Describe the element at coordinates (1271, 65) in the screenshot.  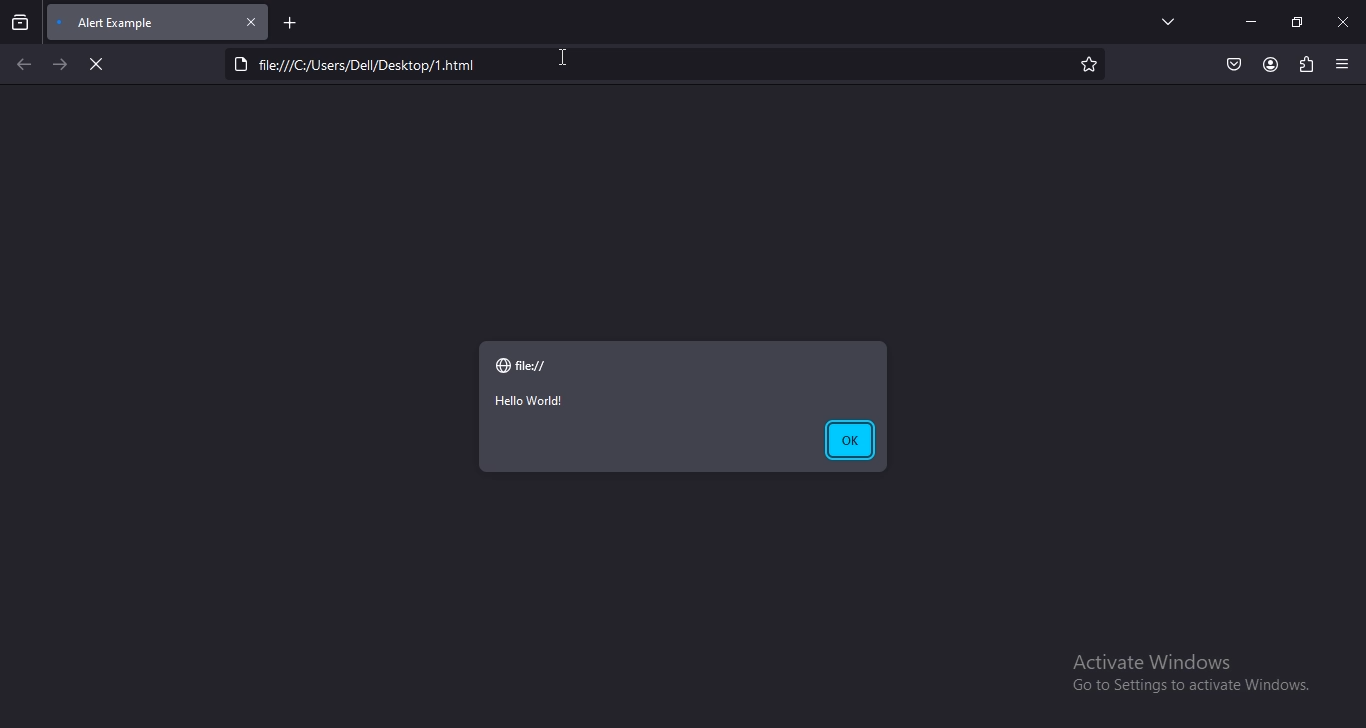
I see `account` at that location.